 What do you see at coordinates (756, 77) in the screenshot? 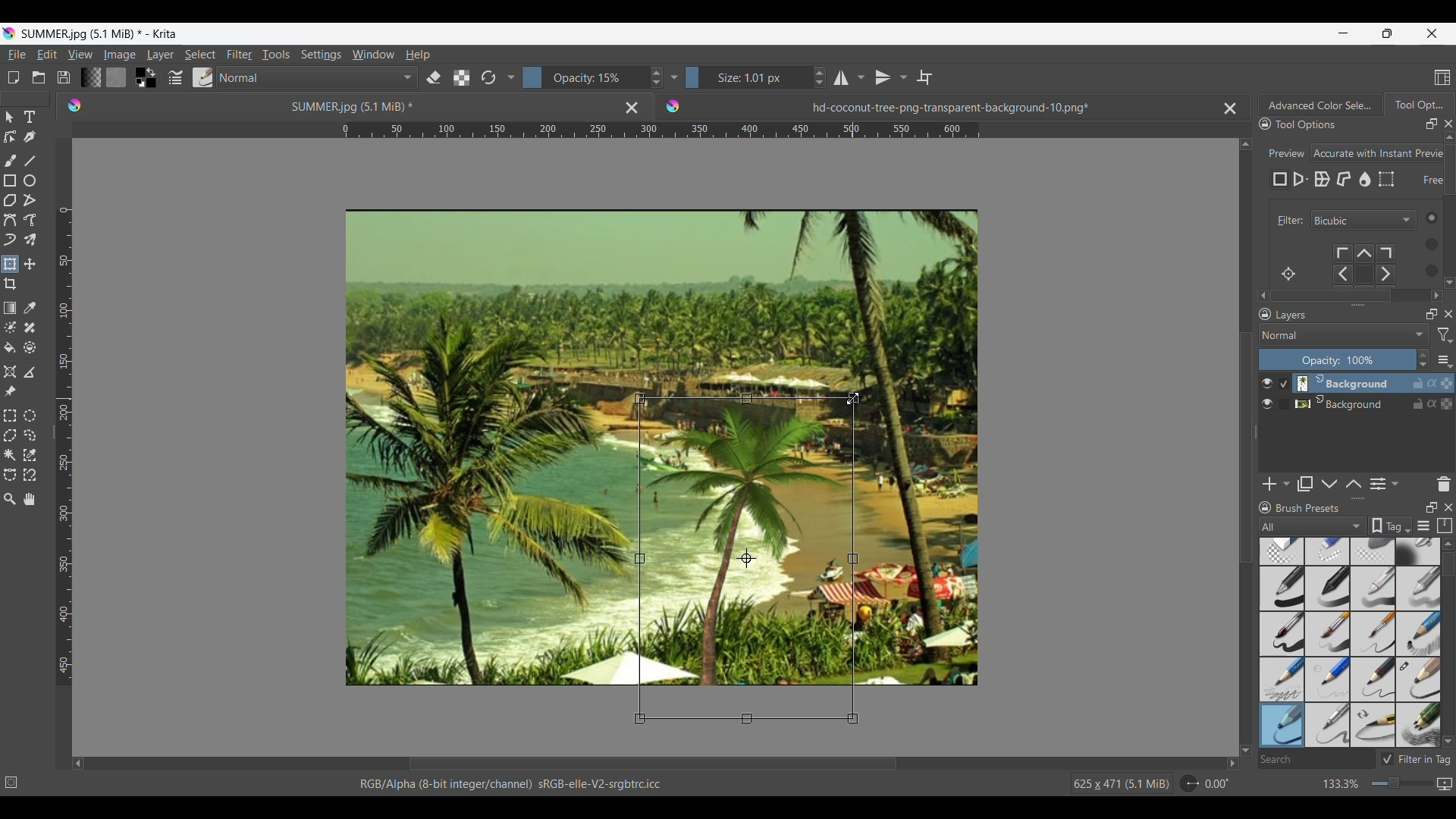
I see `Increase/Decrease size` at bounding box center [756, 77].